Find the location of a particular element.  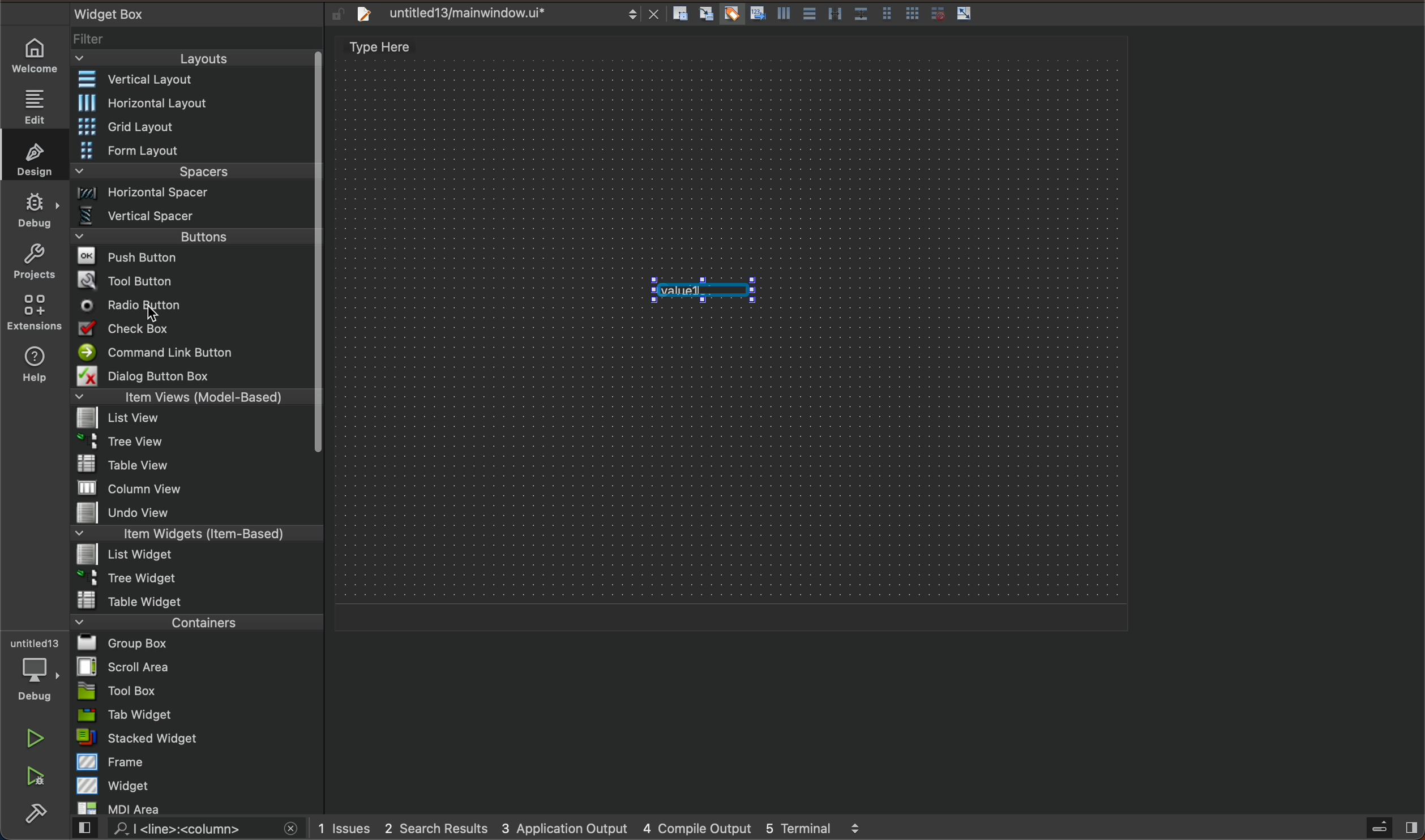

logs is located at coordinates (607, 828).